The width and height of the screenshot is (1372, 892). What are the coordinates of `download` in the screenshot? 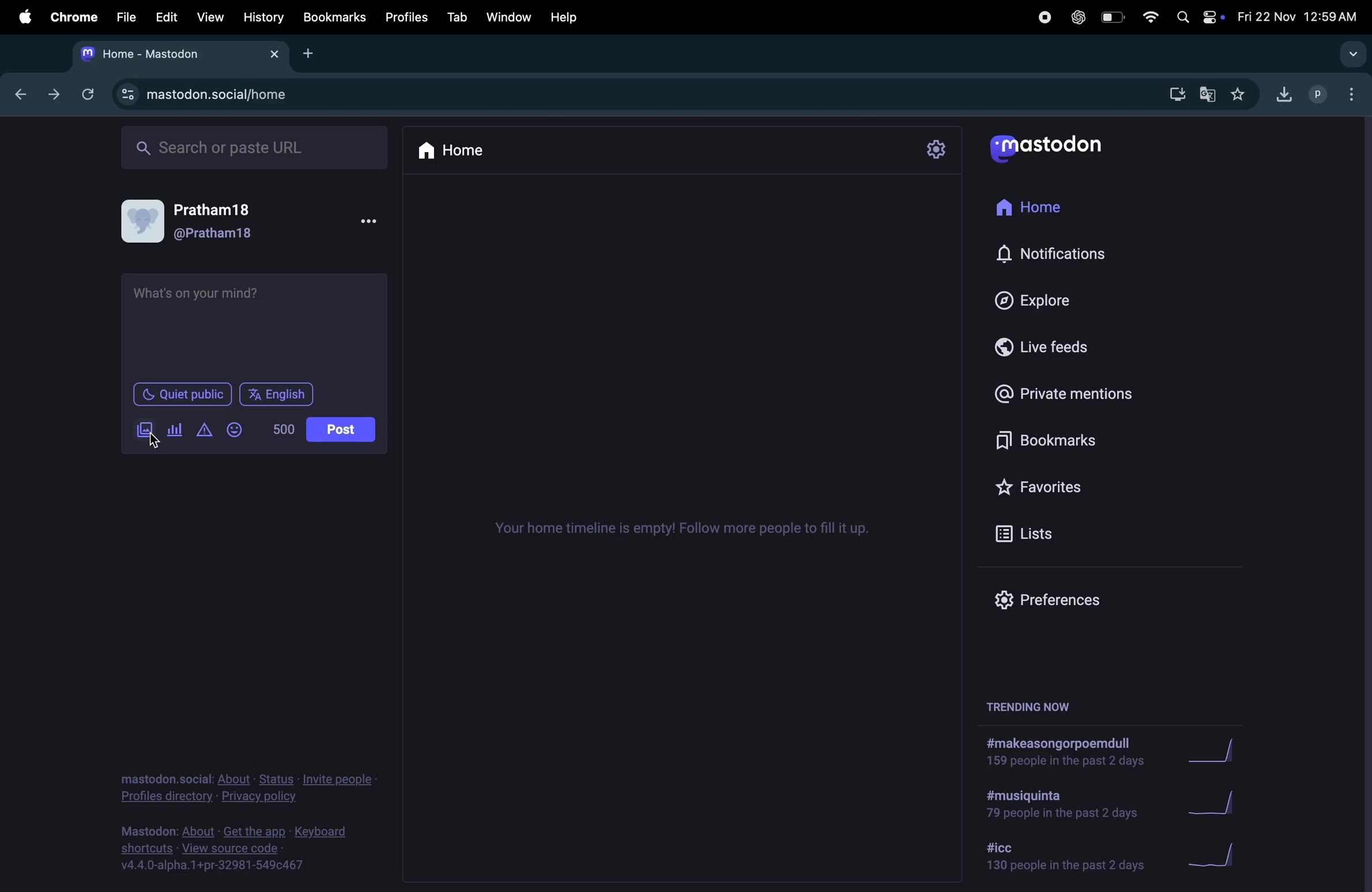 It's located at (1281, 95).